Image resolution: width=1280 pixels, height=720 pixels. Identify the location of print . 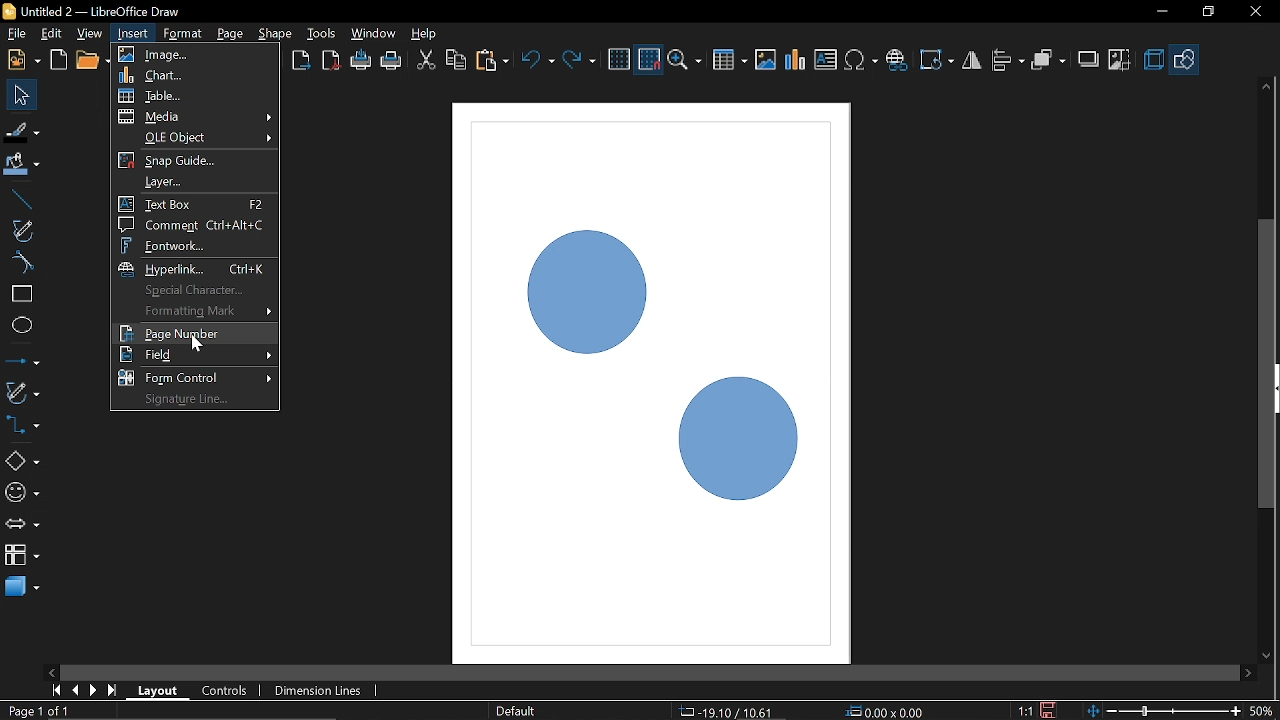
(362, 61).